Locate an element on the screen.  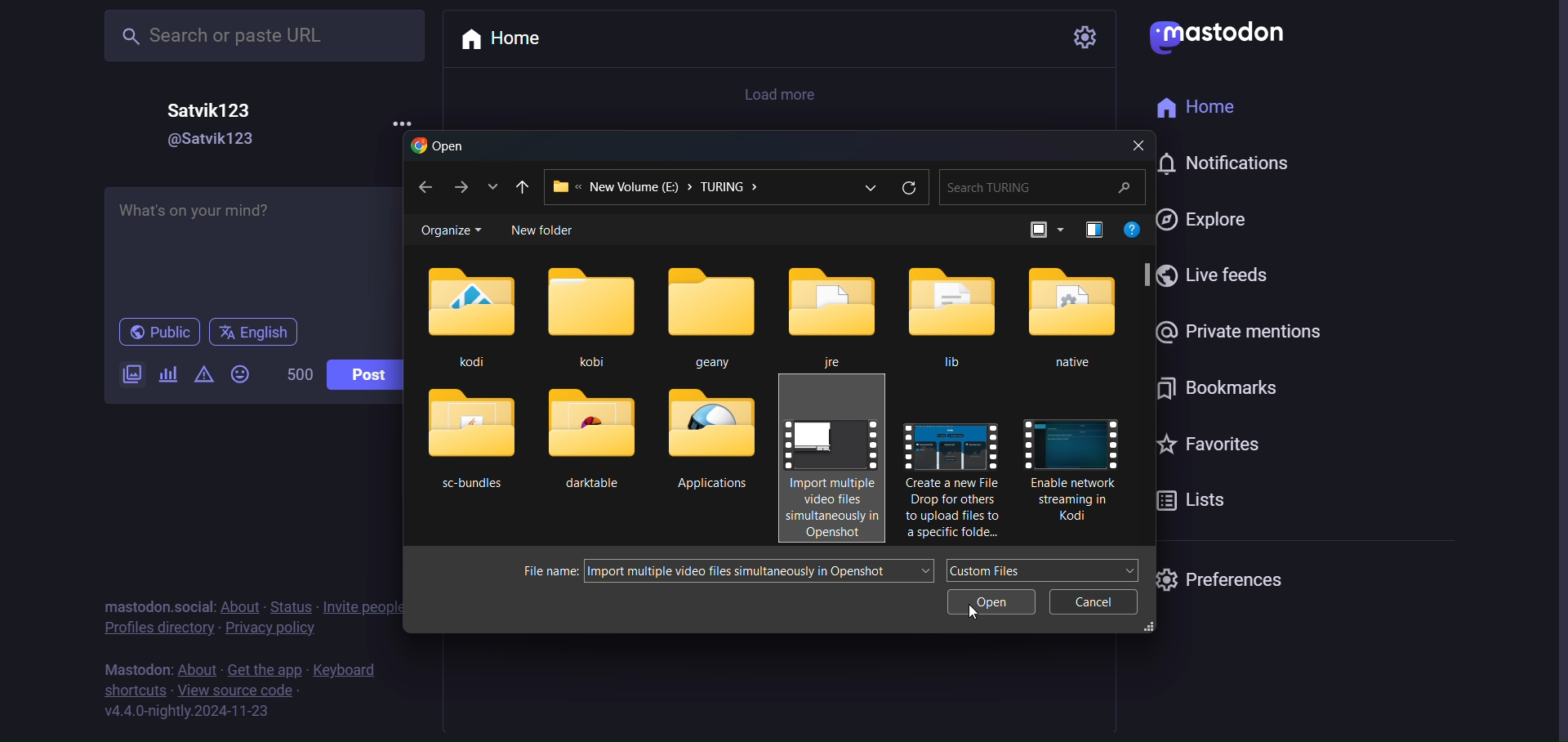
english is located at coordinates (258, 332).